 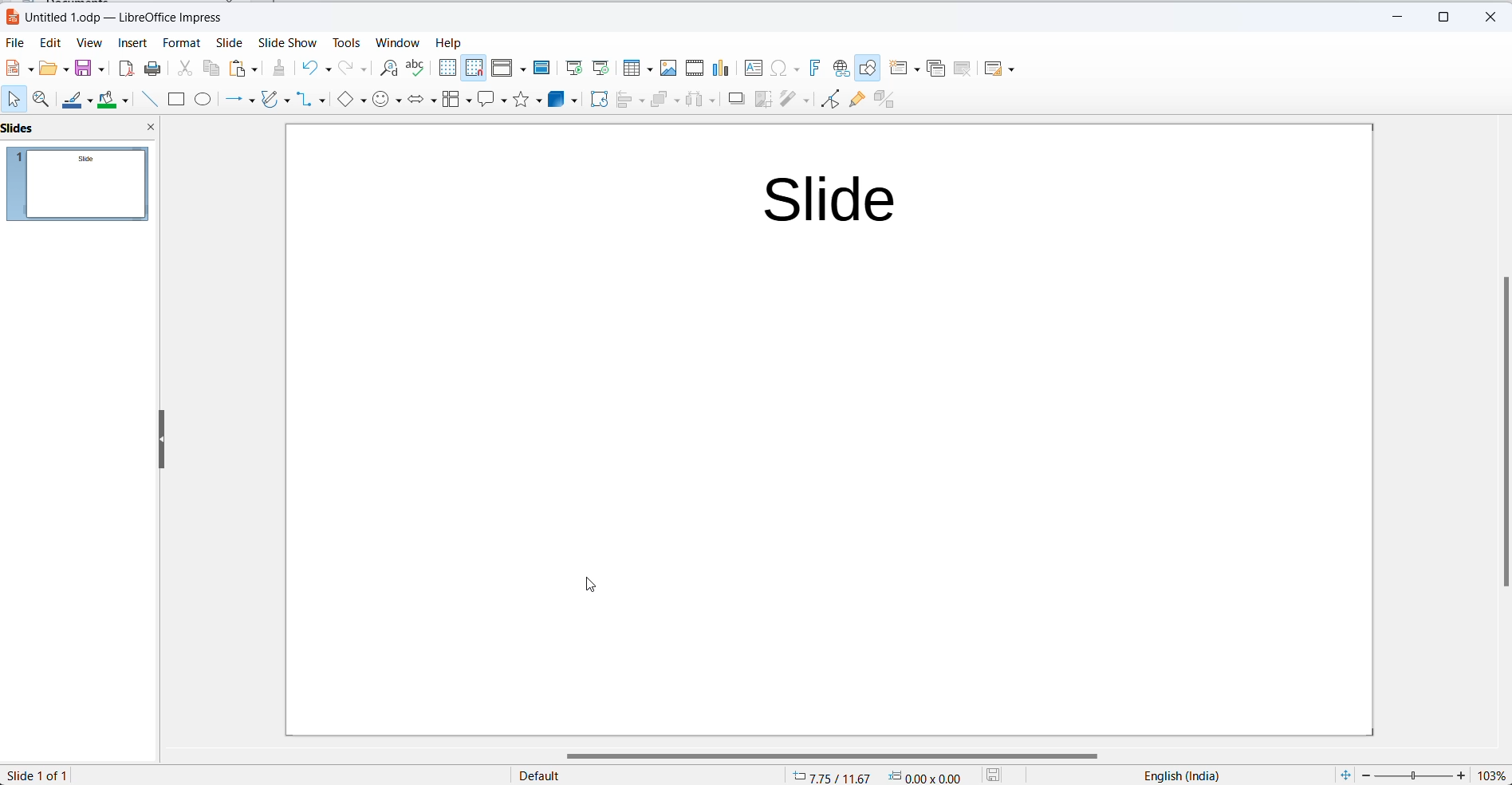 What do you see at coordinates (508, 70) in the screenshot?
I see `Display options` at bounding box center [508, 70].